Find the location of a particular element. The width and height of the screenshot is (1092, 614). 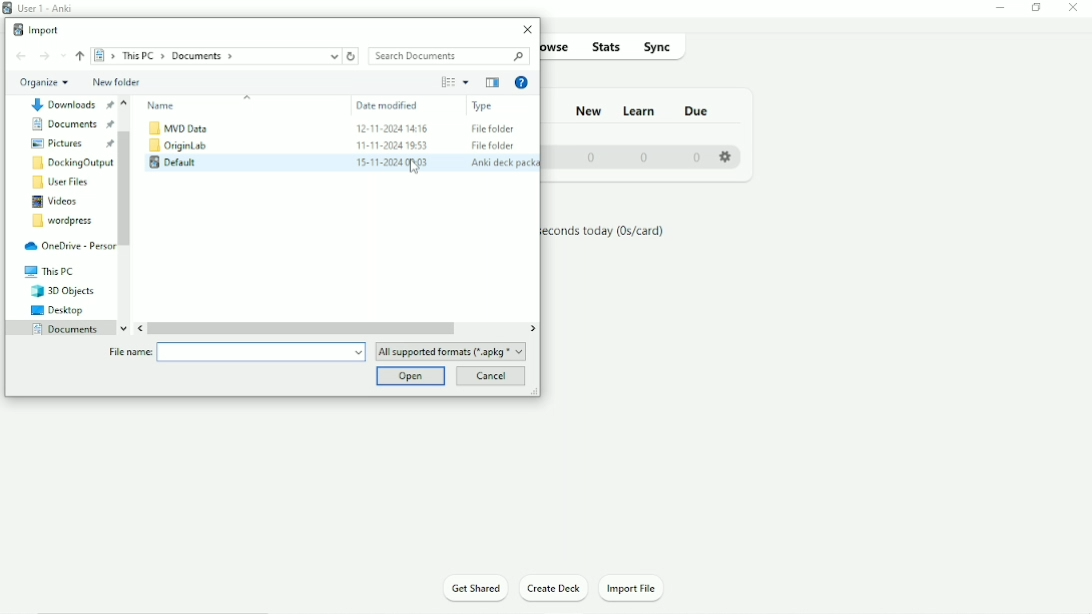

Left is located at coordinates (140, 327).